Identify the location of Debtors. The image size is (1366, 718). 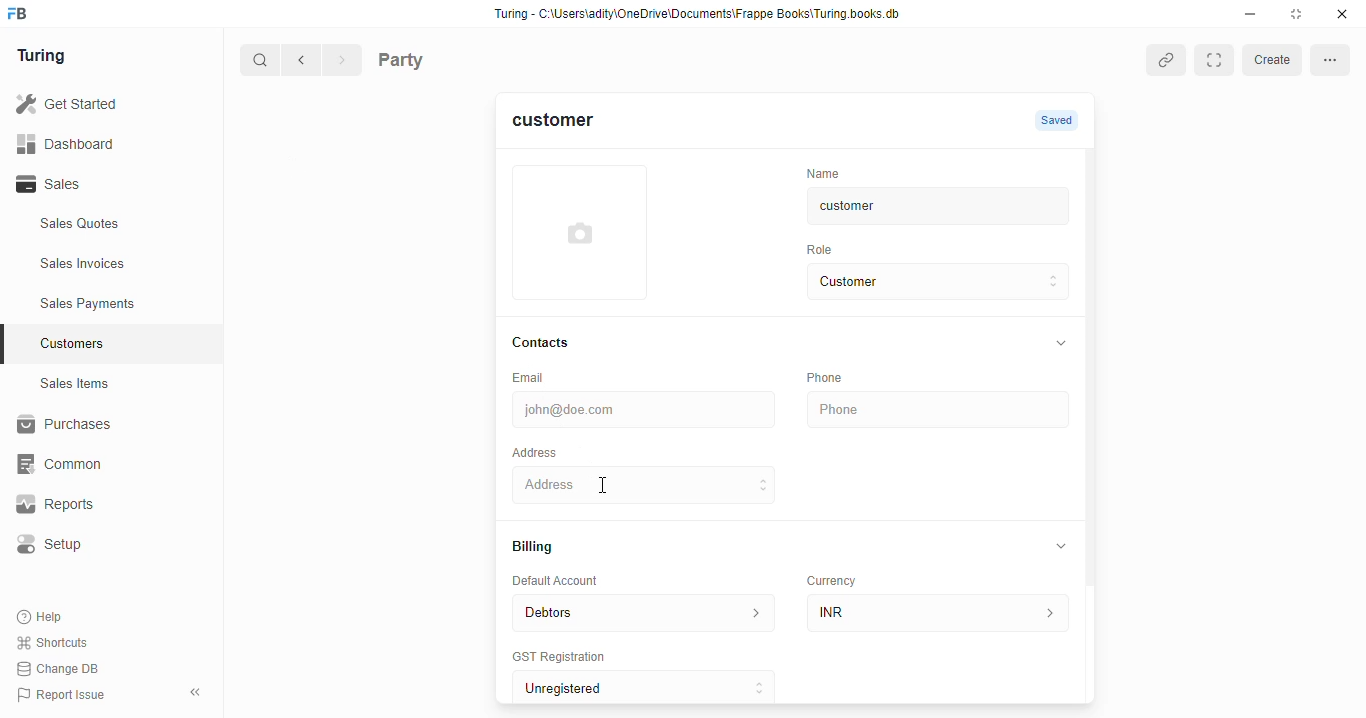
(640, 611).